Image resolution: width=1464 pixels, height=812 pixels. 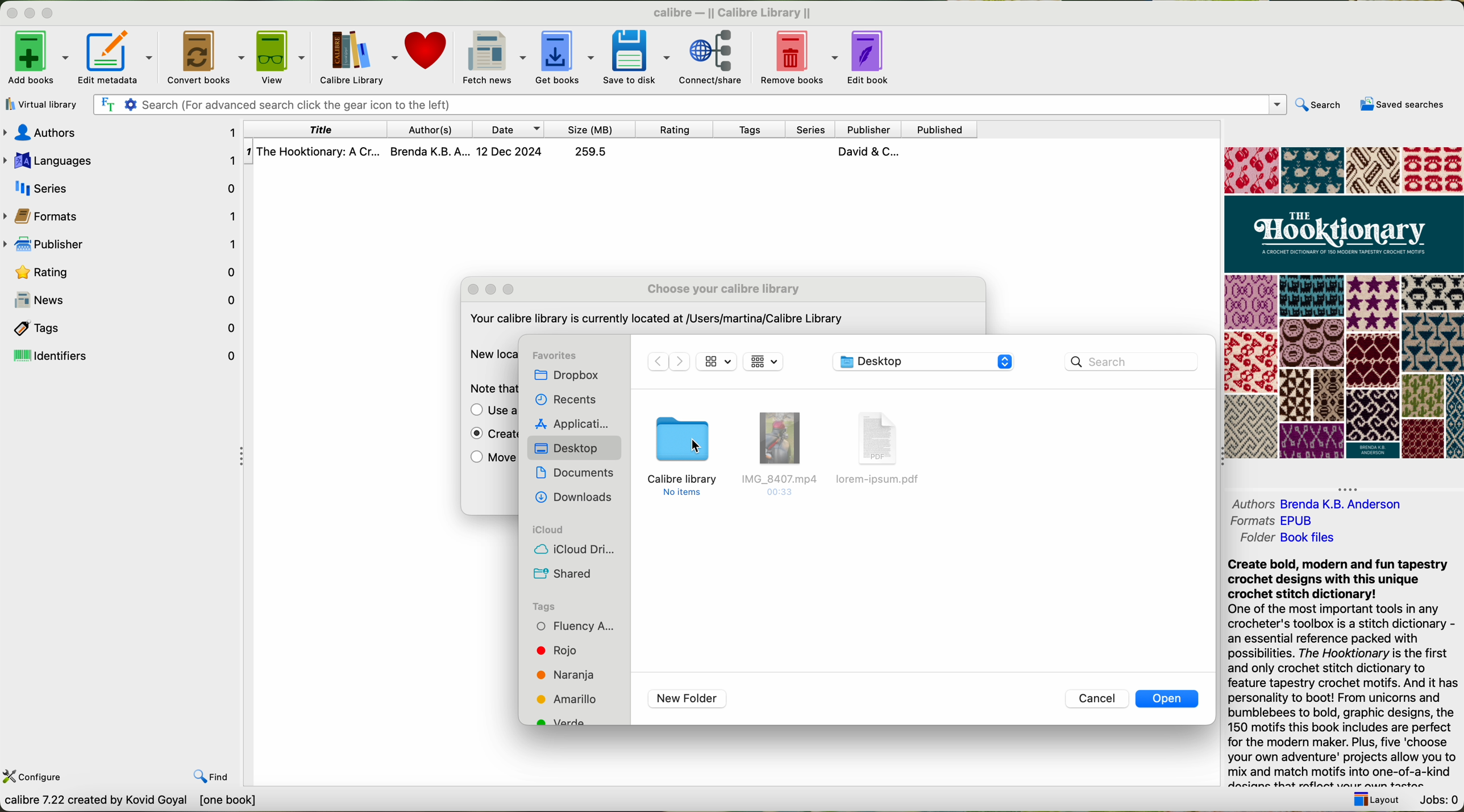 What do you see at coordinates (279, 56) in the screenshot?
I see `view` at bounding box center [279, 56].